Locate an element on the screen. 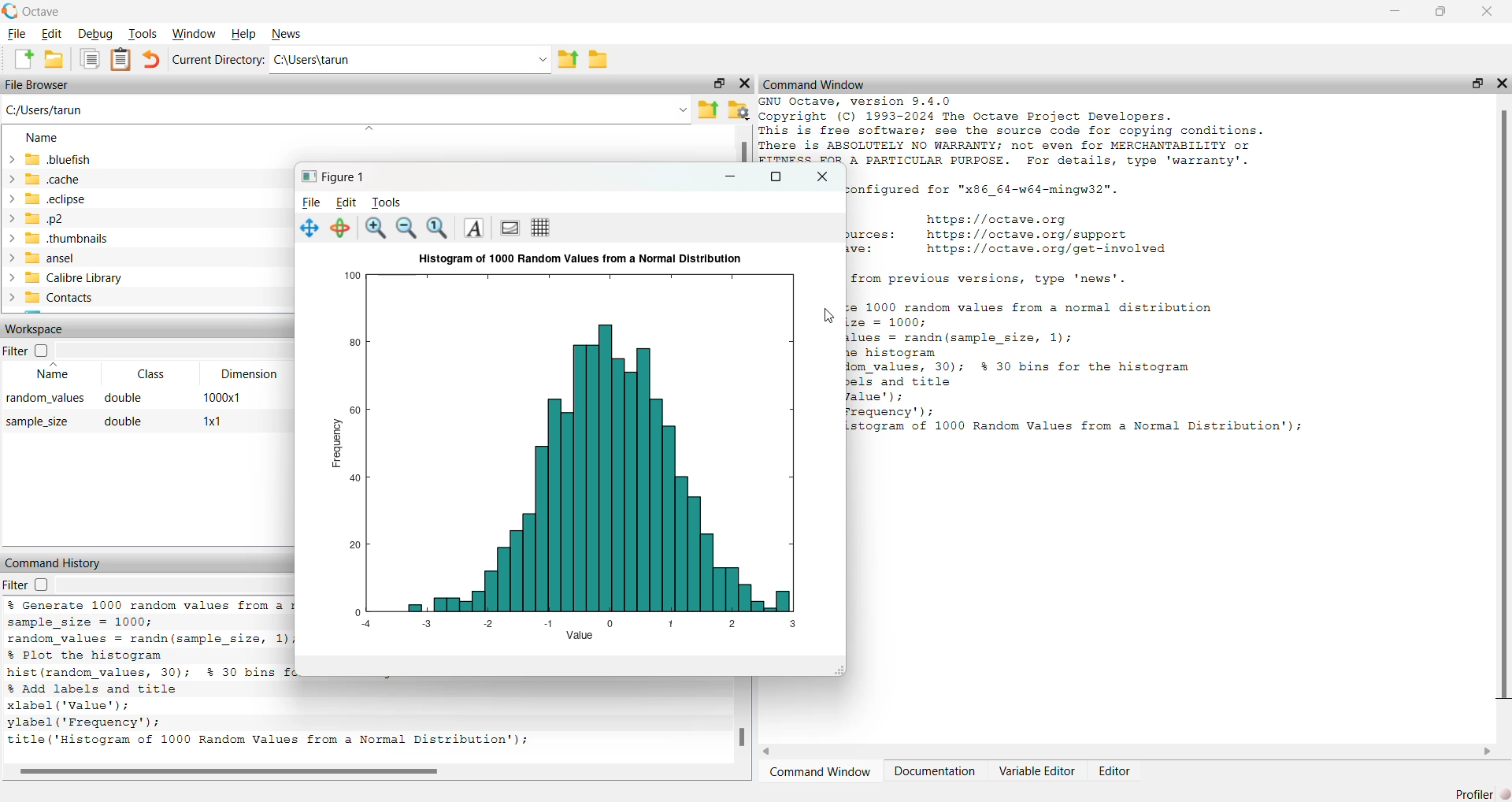 The image size is (1512, 802). close is located at coordinates (1488, 12).